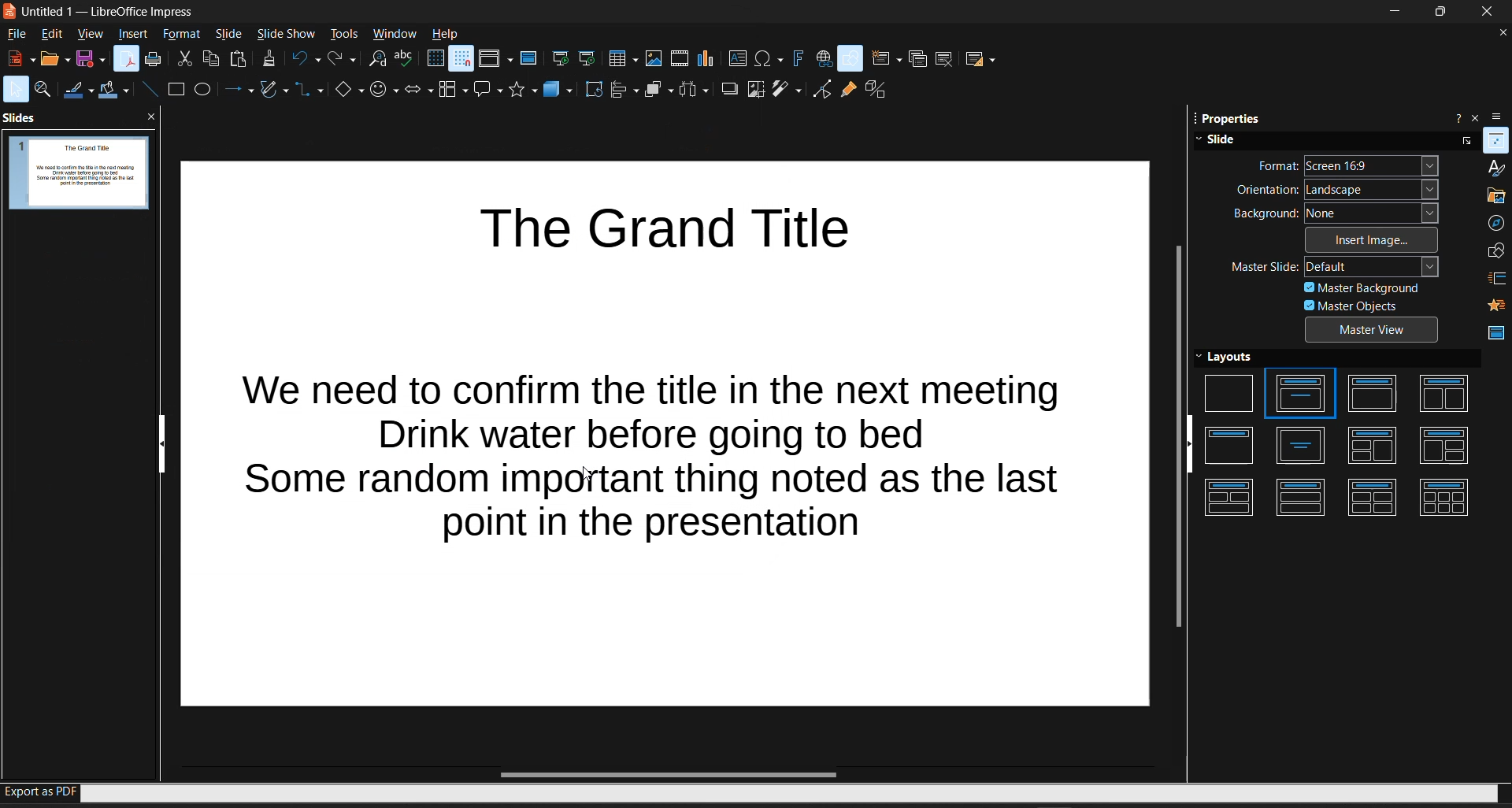  Describe the element at coordinates (1372, 305) in the screenshot. I see `master objects` at that location.